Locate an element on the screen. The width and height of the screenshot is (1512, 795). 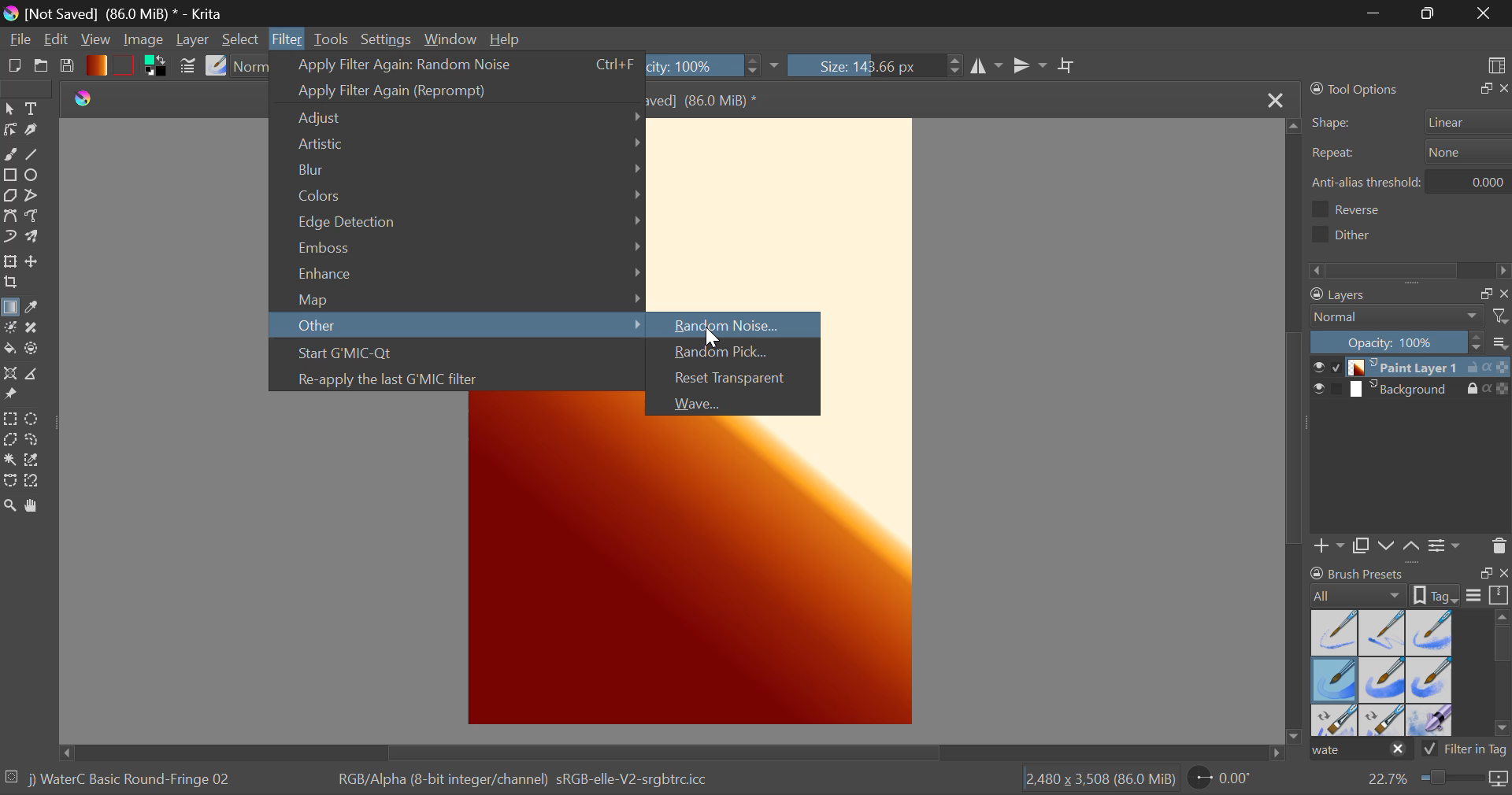
Emboss is located at coordinates (458, 250).